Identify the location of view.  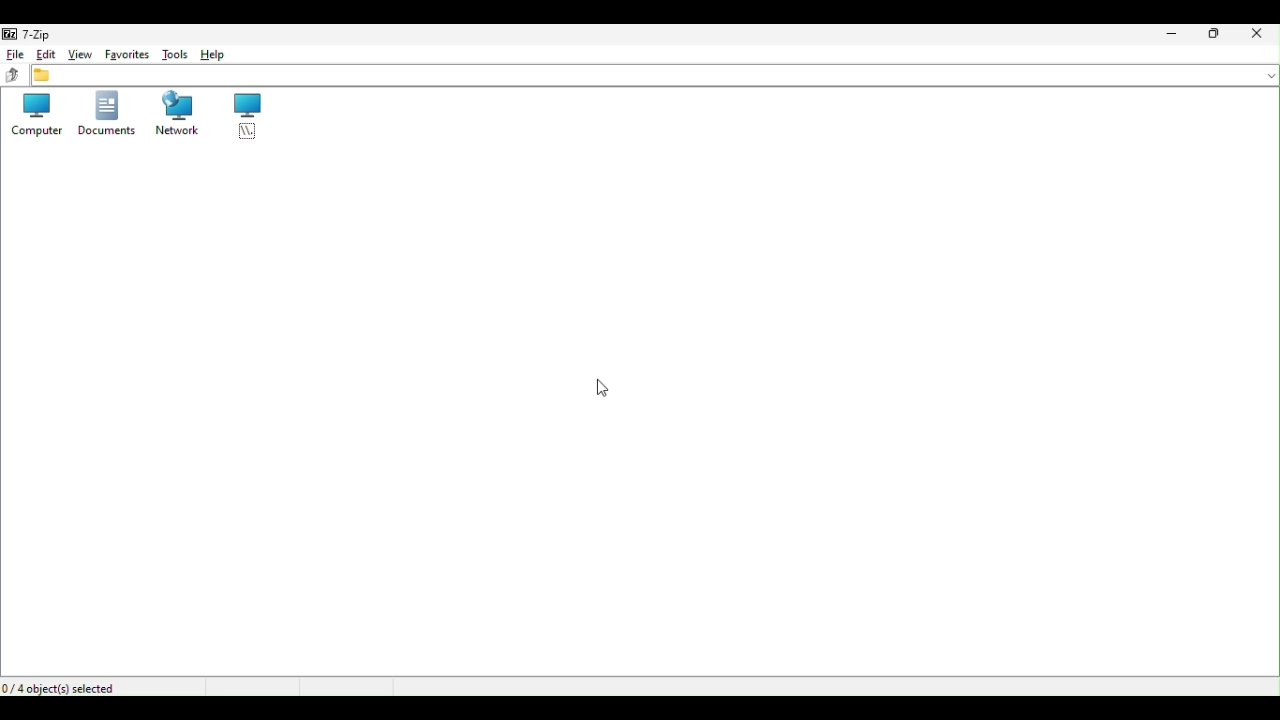
(77, 55).